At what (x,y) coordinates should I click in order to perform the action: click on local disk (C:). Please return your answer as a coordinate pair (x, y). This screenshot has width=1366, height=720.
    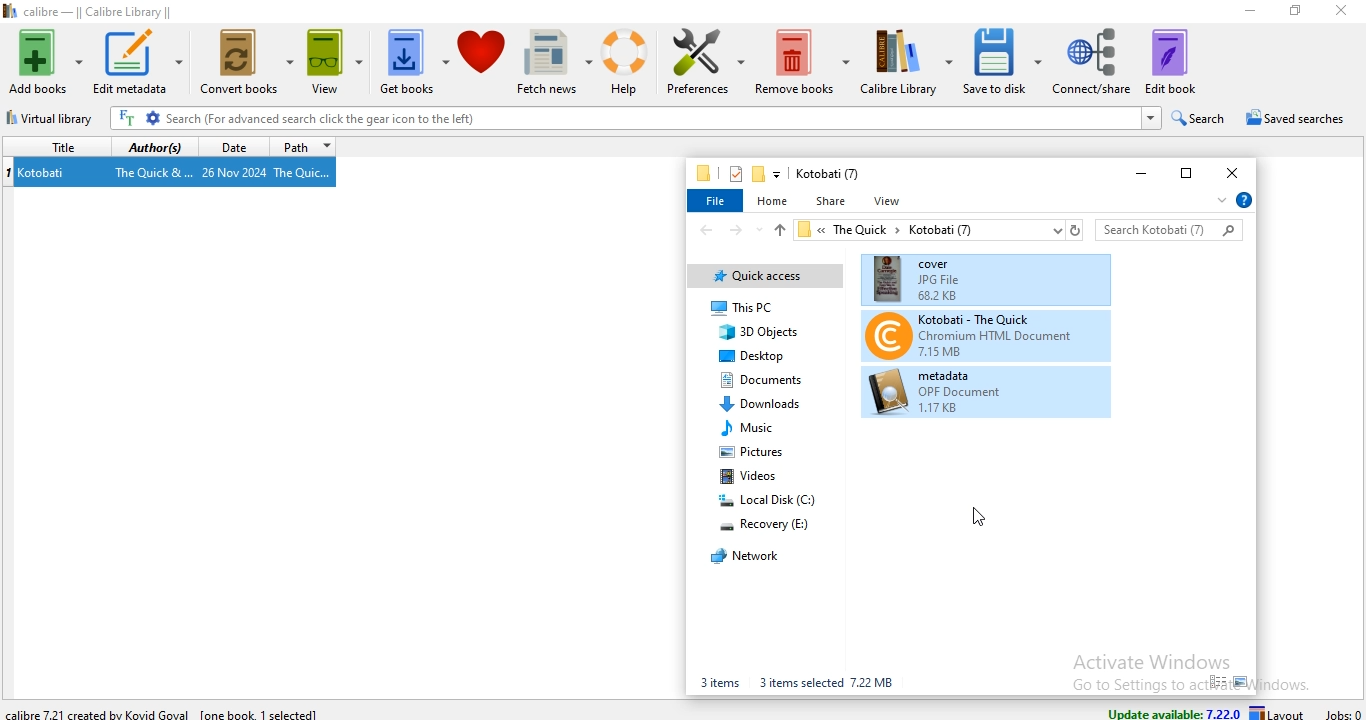
    Looking at the image, I should click on (767, 499).